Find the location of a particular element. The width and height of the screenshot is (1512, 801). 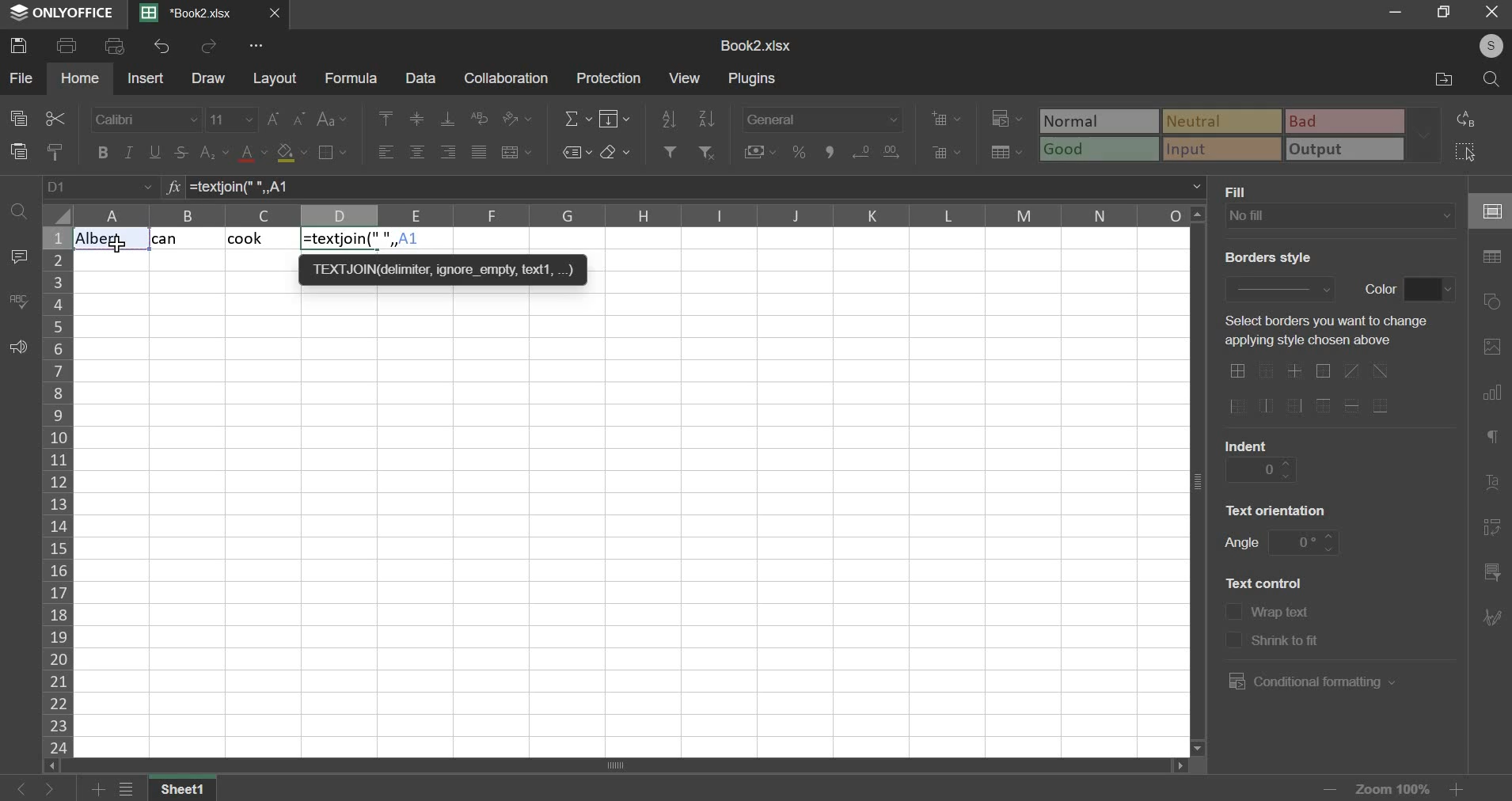

underline is located at coordinates (156, 152).